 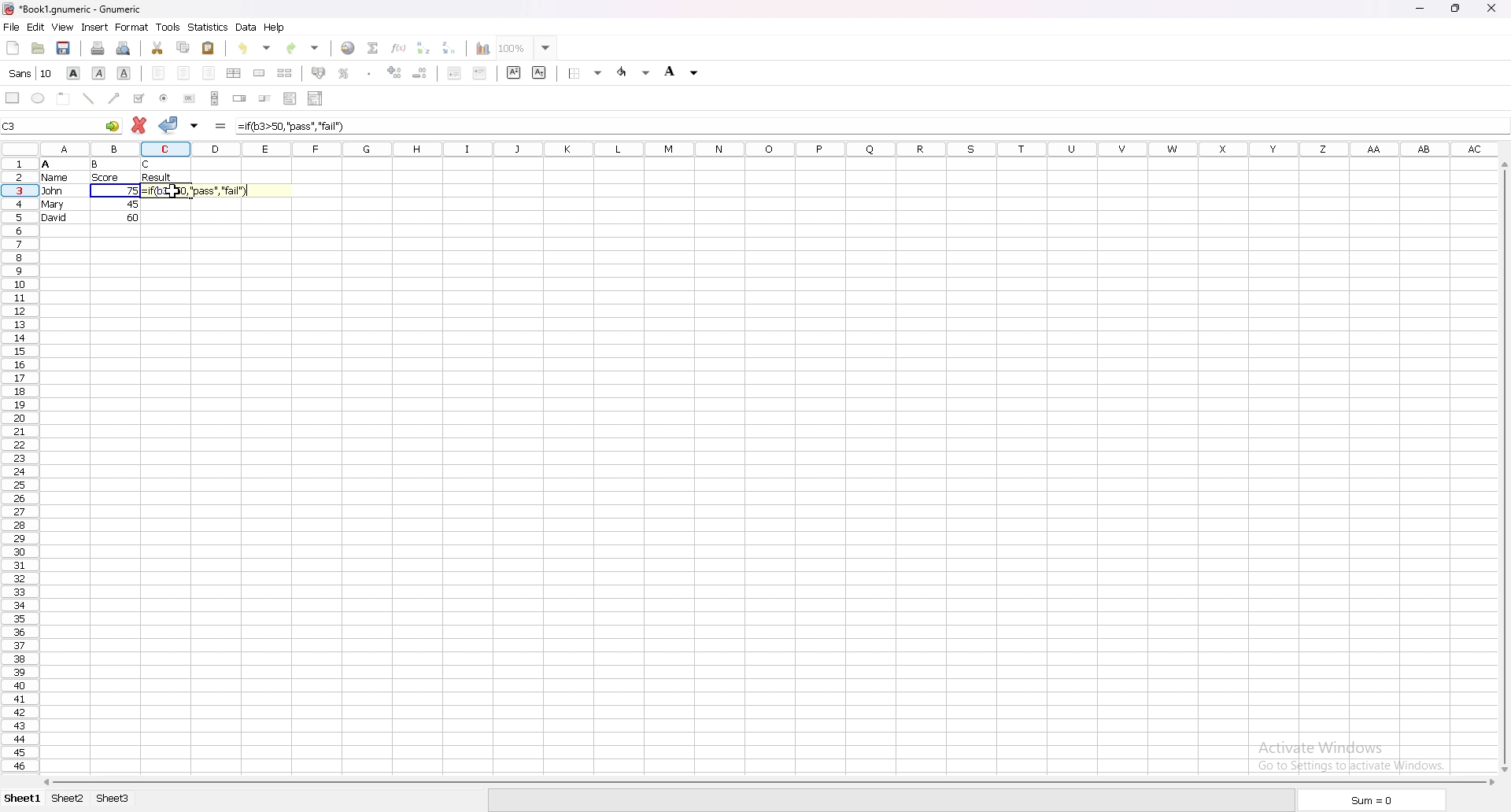 What do you see at coordinates (139, 125) in the screenshot?
I see `clear change` at bounding box center [139, 125].